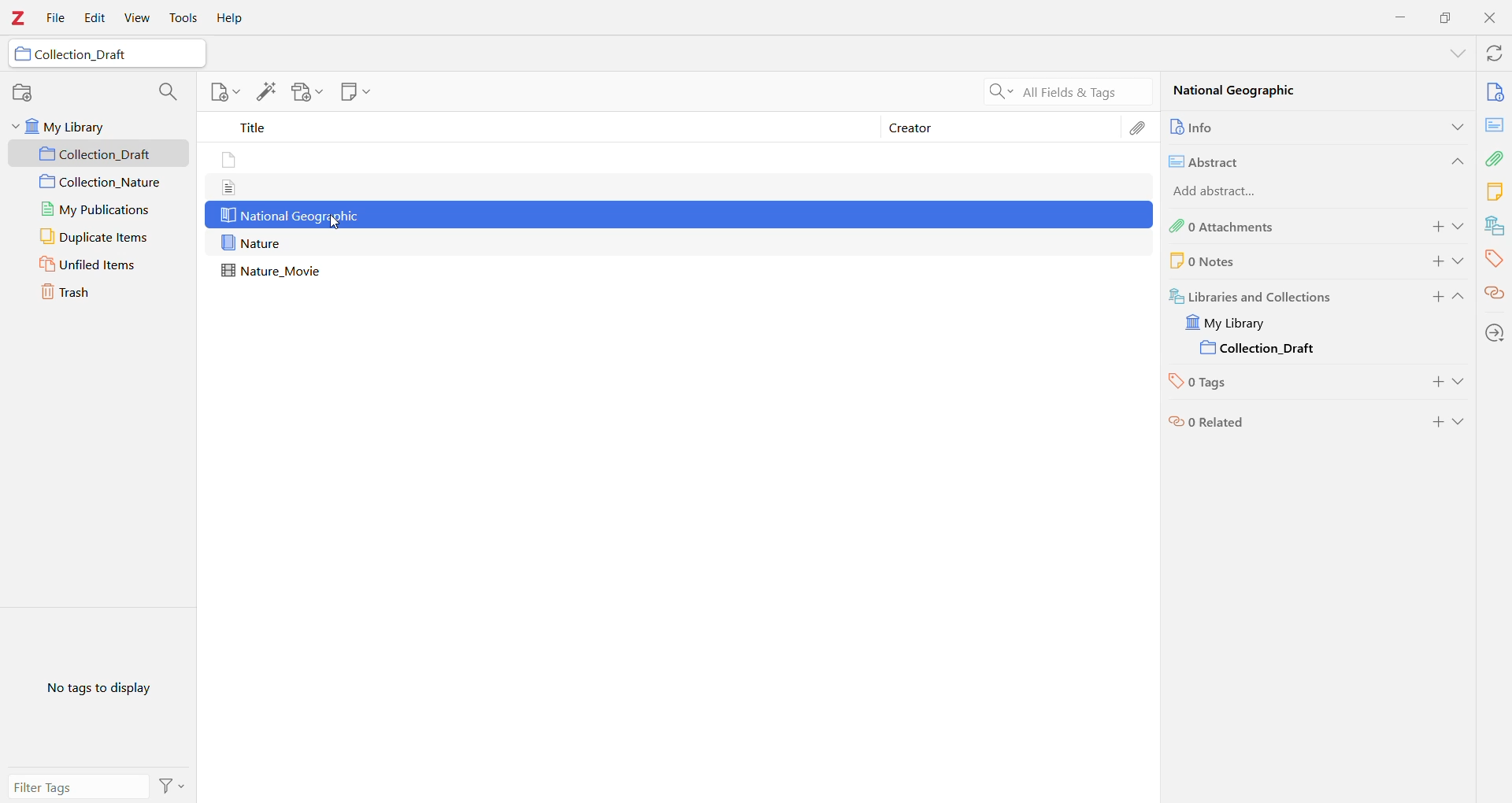  Describe the element at coordinates (1001, 128) in the screenshot. I see `Creator` at that location.